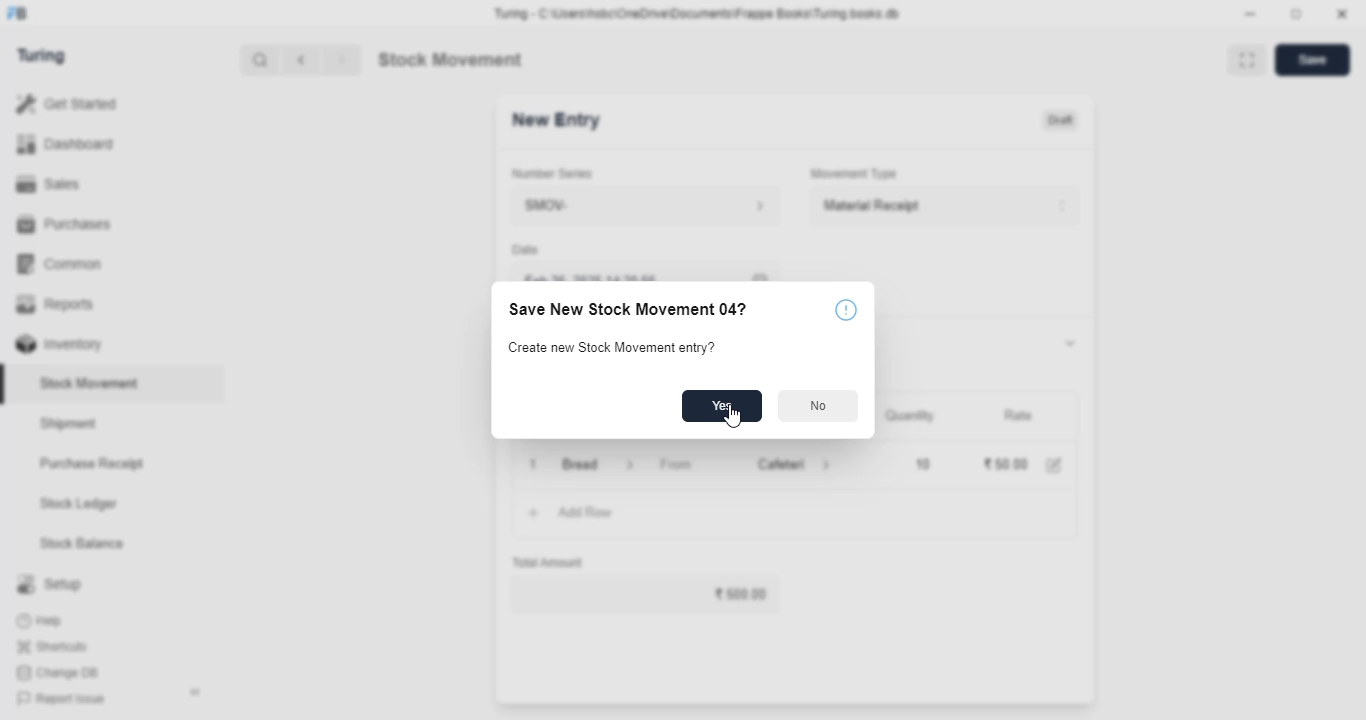 This screenshot has height=720, width=1366. Describe the element at coordinates (49, 583) in the screenshot. I see `setup` at that location.